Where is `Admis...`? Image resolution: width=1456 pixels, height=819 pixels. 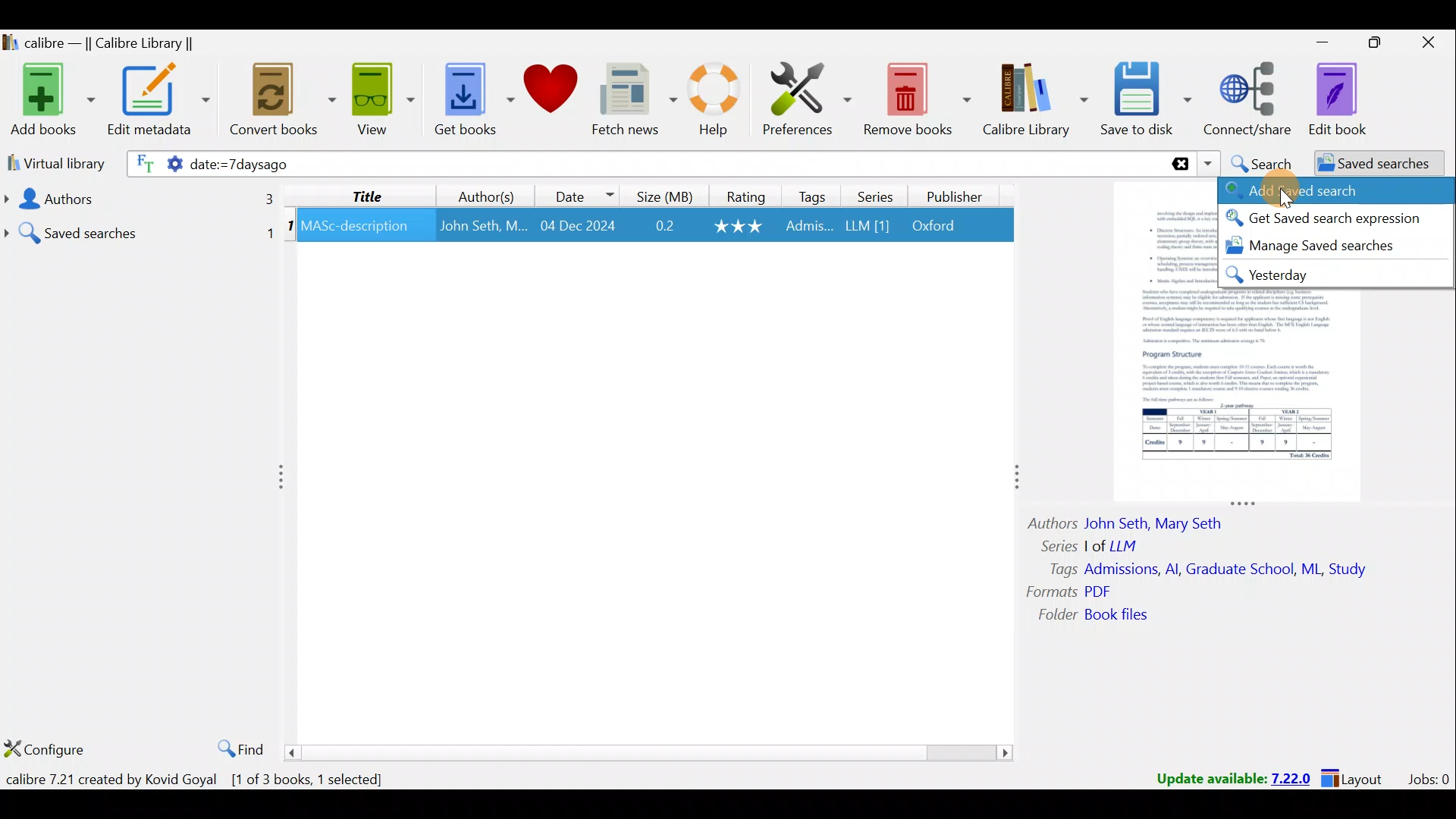 Admis... is located at coordinates (809, 227).